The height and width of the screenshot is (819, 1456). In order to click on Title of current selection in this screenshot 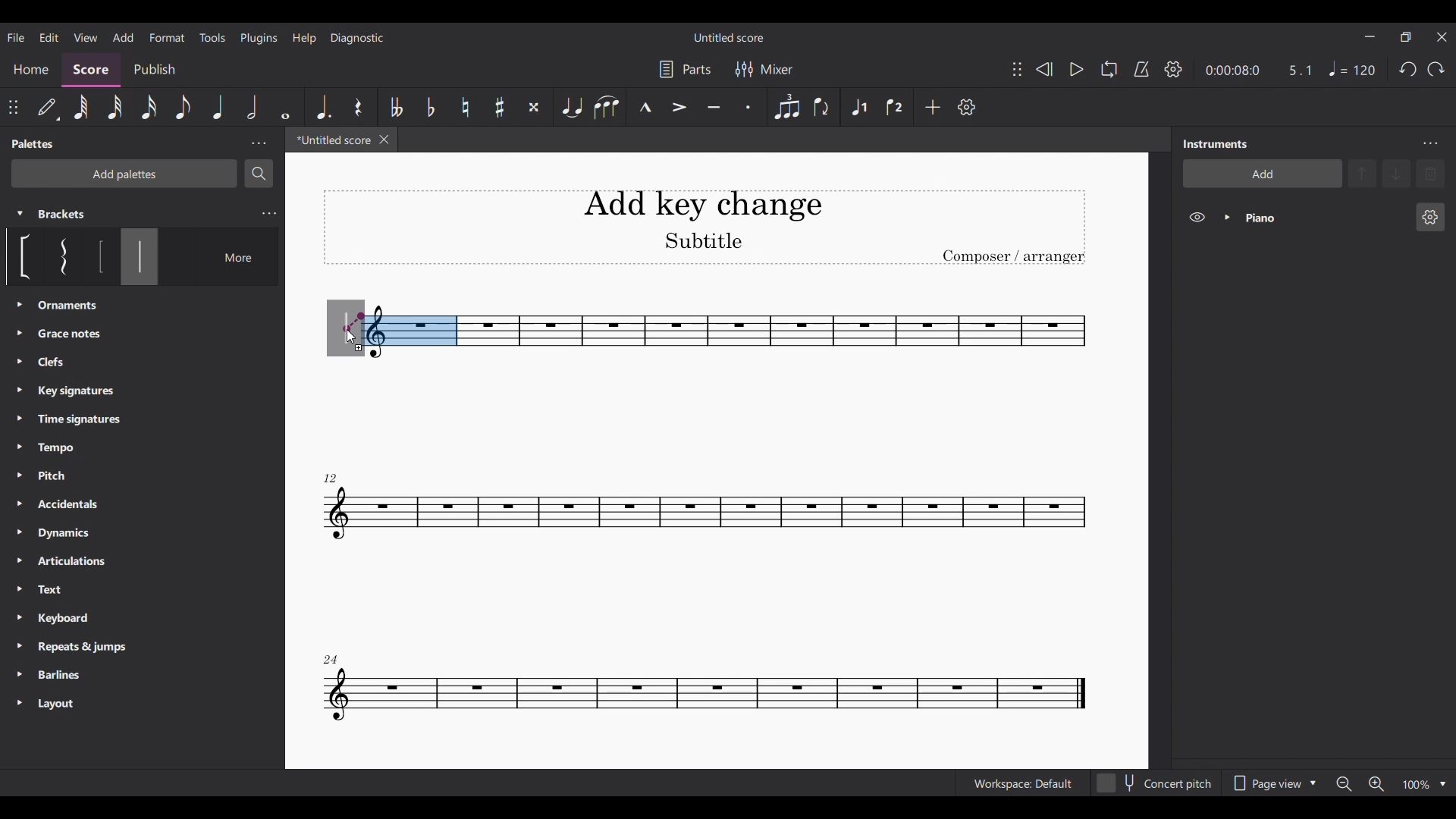, I will do `click(62, 214)`.